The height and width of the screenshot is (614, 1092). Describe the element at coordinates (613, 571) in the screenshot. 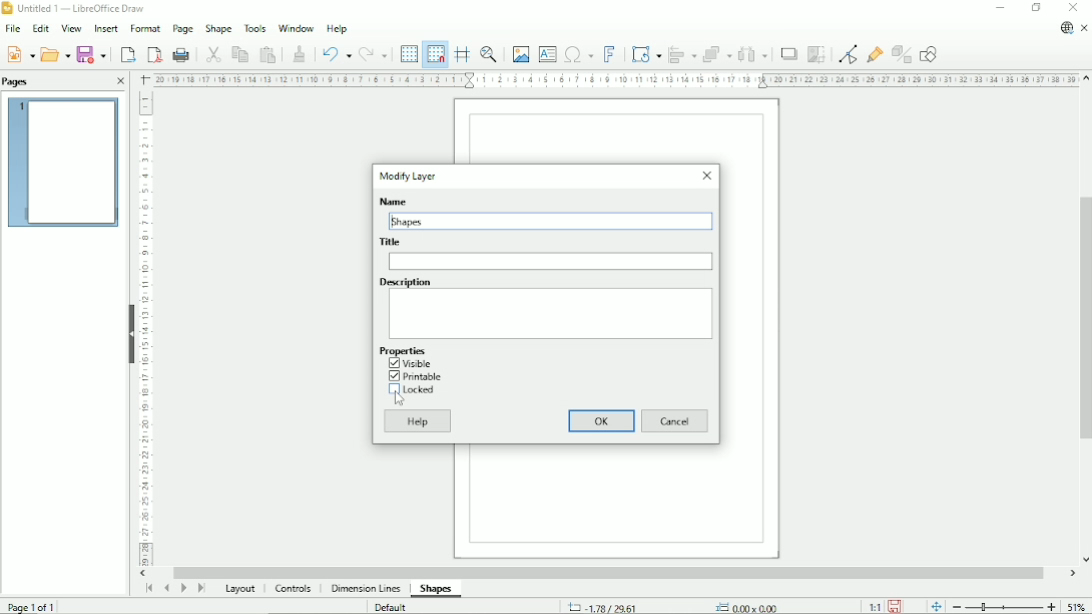

I see `Horizontal scrollbar` at that location.